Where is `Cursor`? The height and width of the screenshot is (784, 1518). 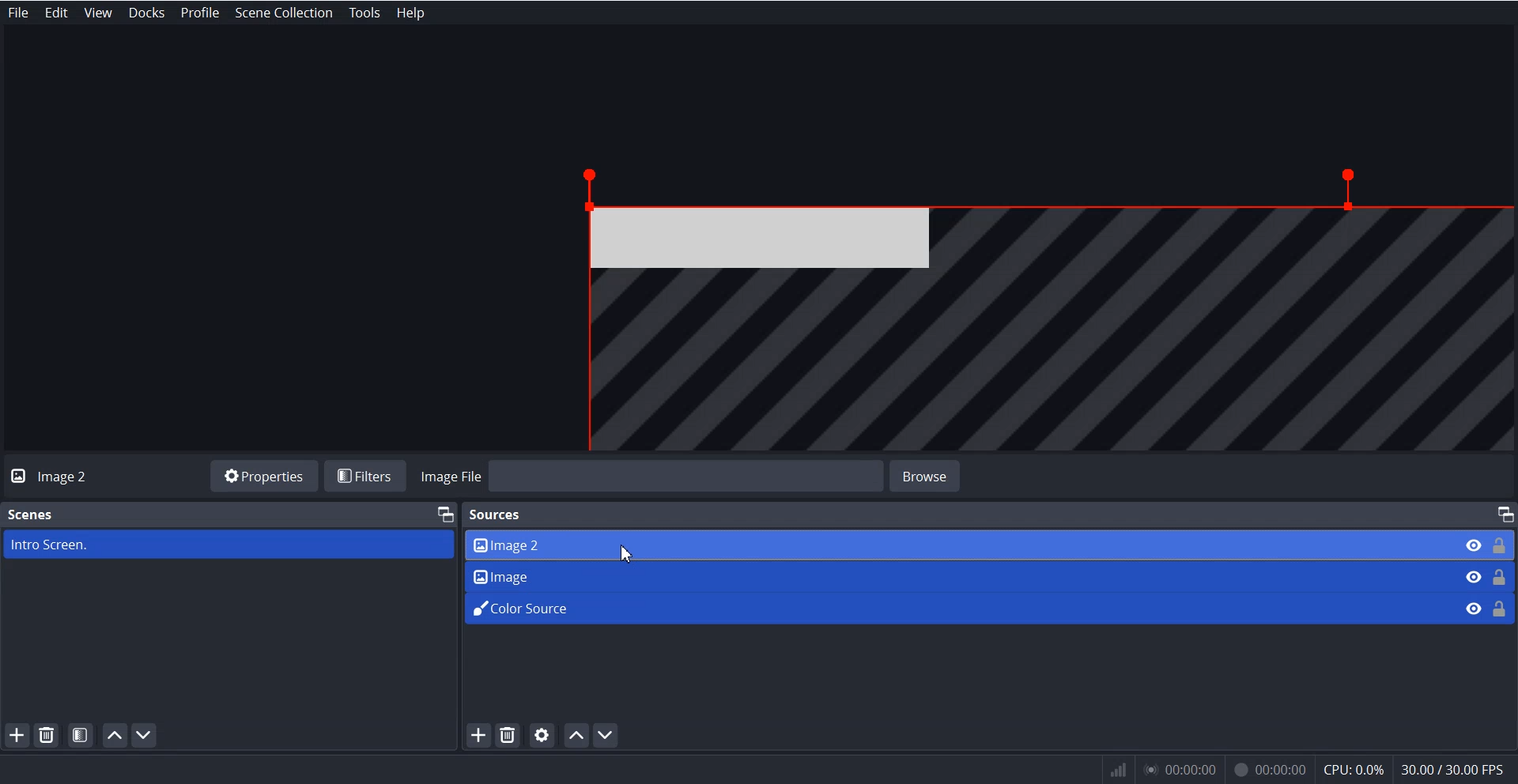
Cursor is located at coordinates (627, 555).